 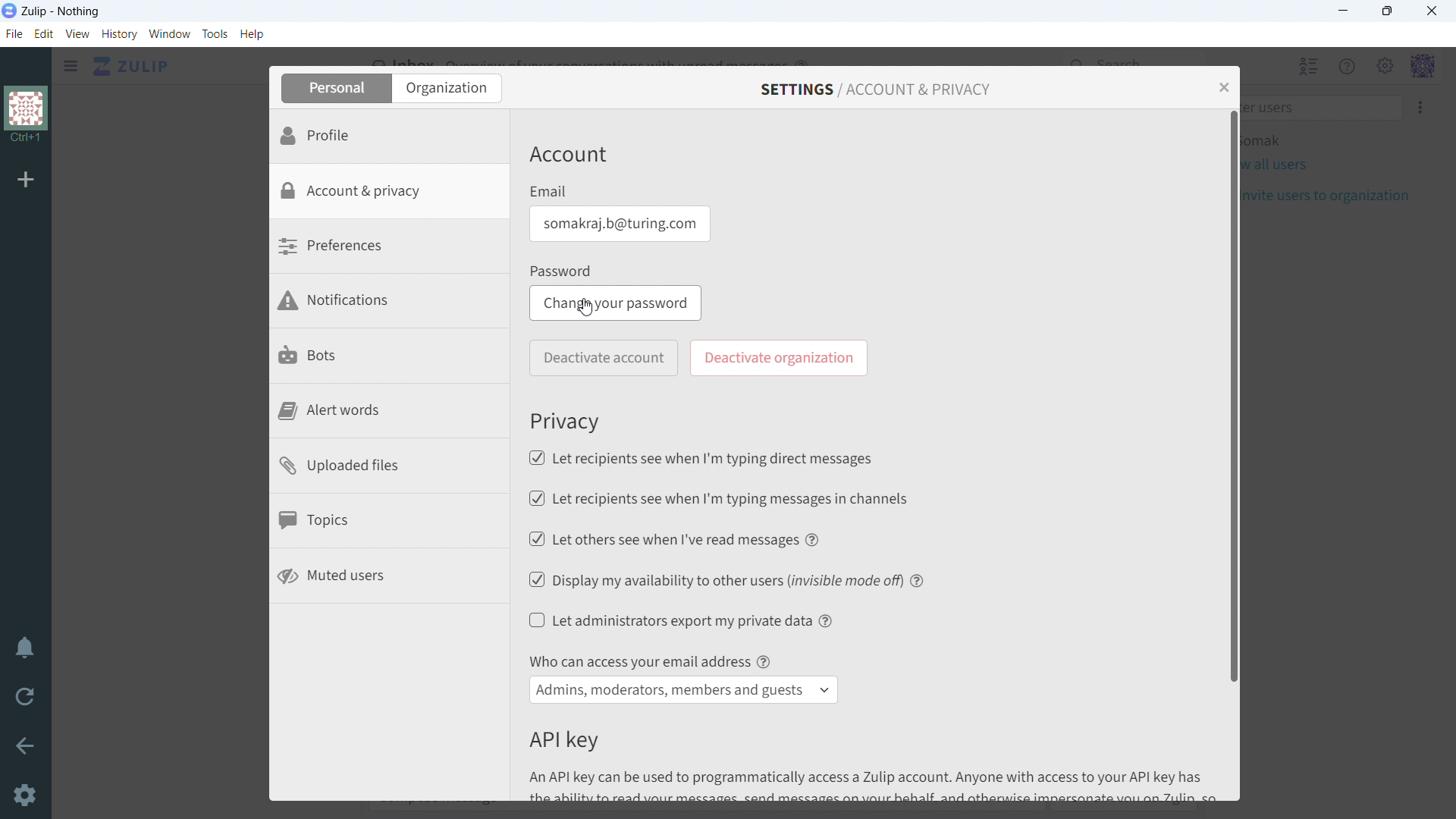 What do you see at coordinates (388, 192) in the screenshot?
I see `account & privacy selected` at bounding box center [388, 192].